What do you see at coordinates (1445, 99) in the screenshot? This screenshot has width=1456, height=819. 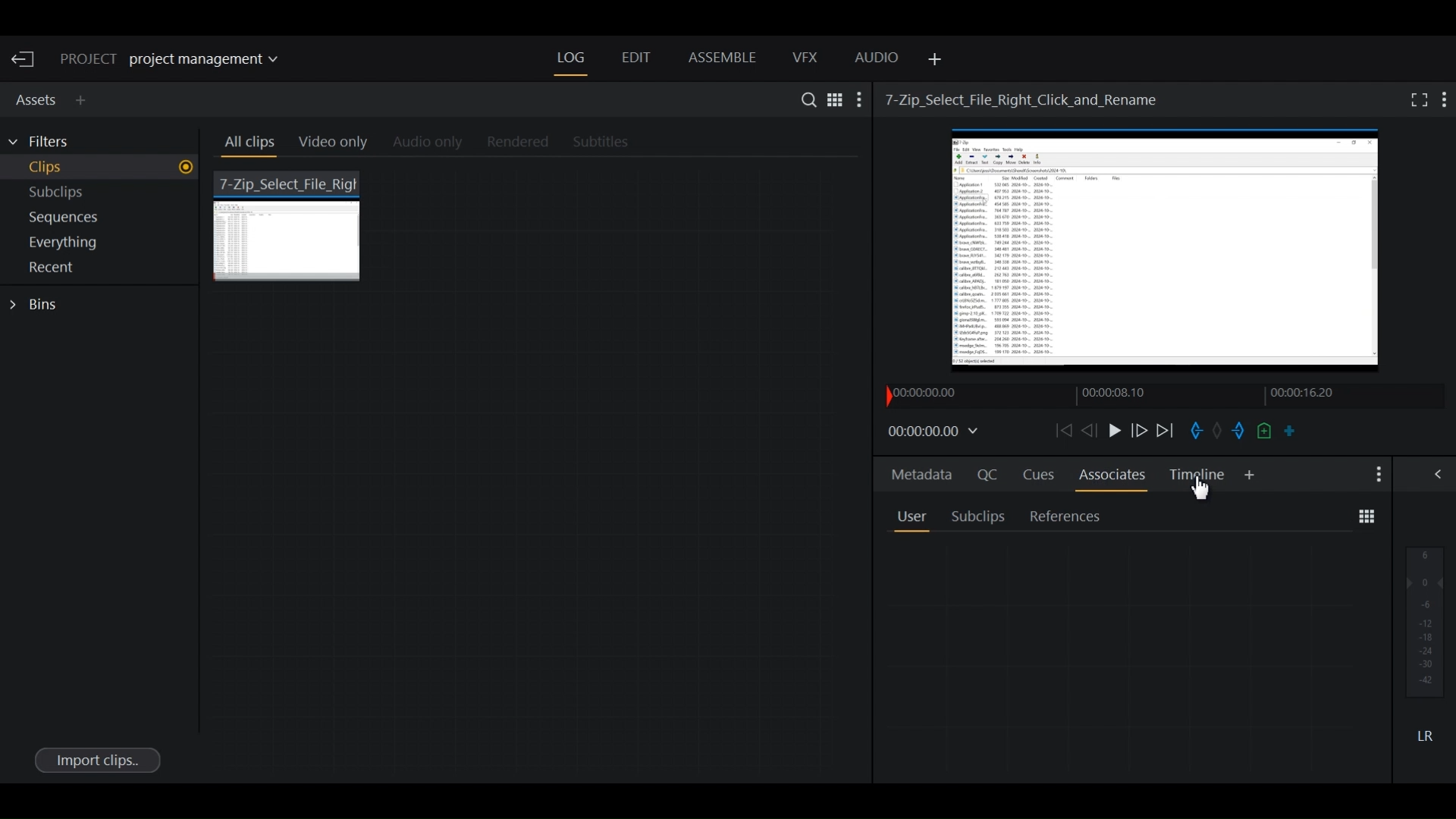 I see `Show settings menu` at bounding box center [1445, 99].